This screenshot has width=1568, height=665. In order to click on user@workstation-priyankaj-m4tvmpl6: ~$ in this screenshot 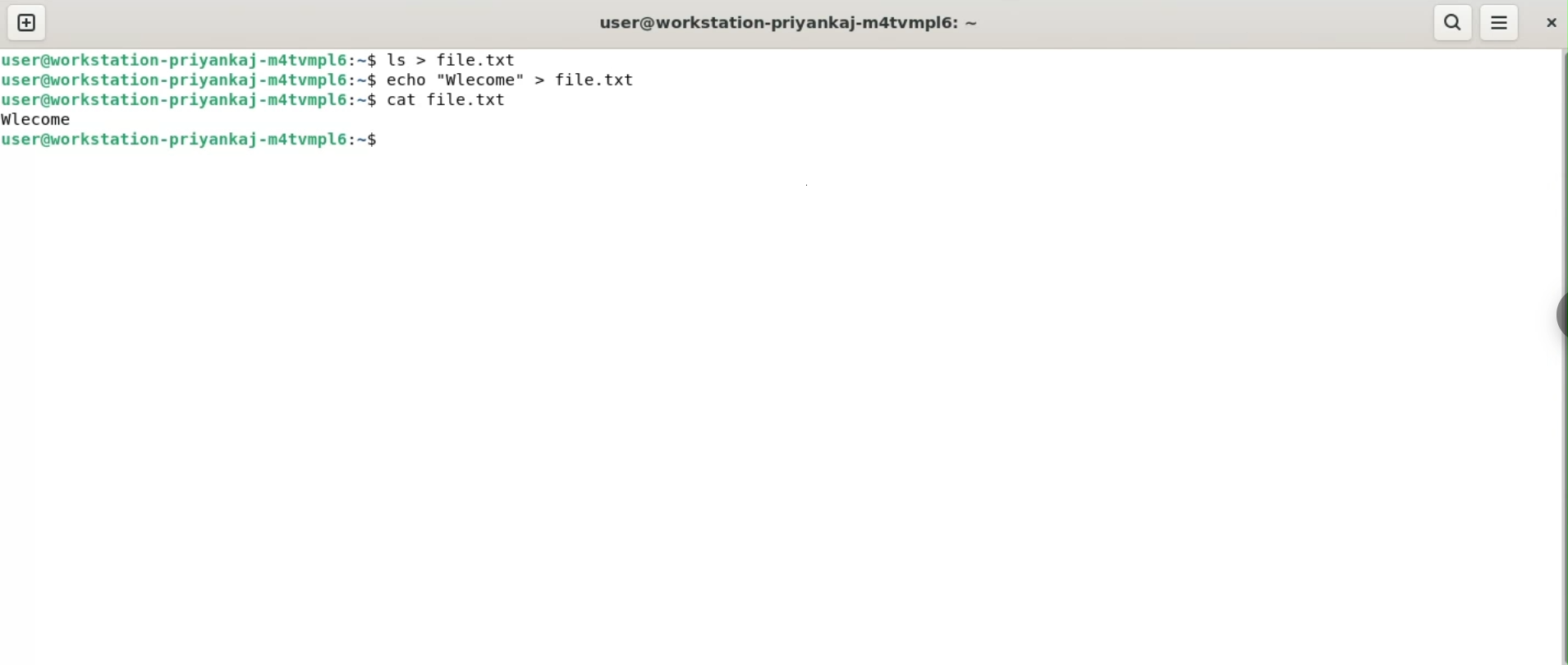, I will do `click(194, 140)`.